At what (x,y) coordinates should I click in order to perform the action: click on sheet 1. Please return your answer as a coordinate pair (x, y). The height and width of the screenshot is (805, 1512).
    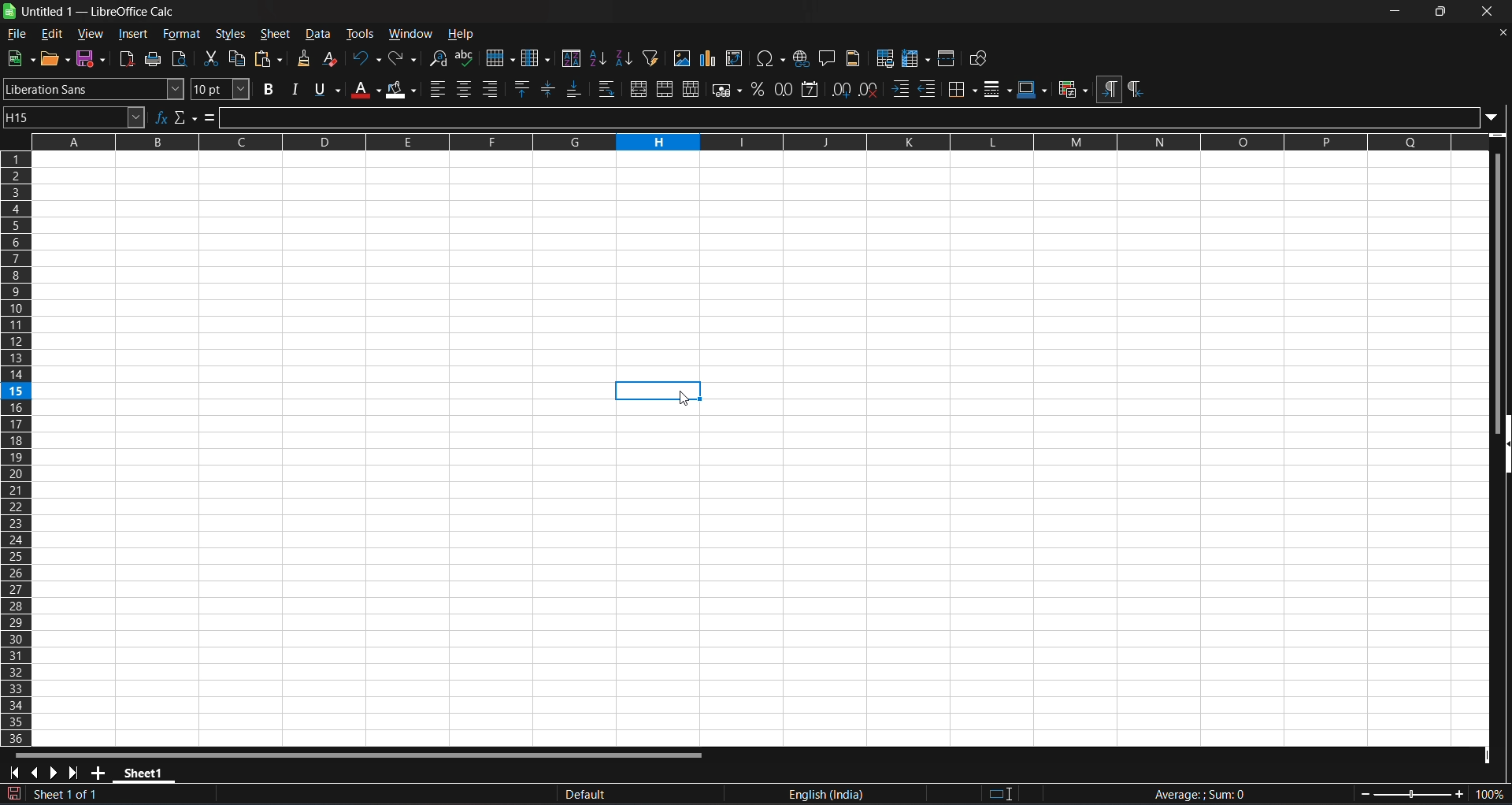
    Looking at the image, I should click on (149, 773).